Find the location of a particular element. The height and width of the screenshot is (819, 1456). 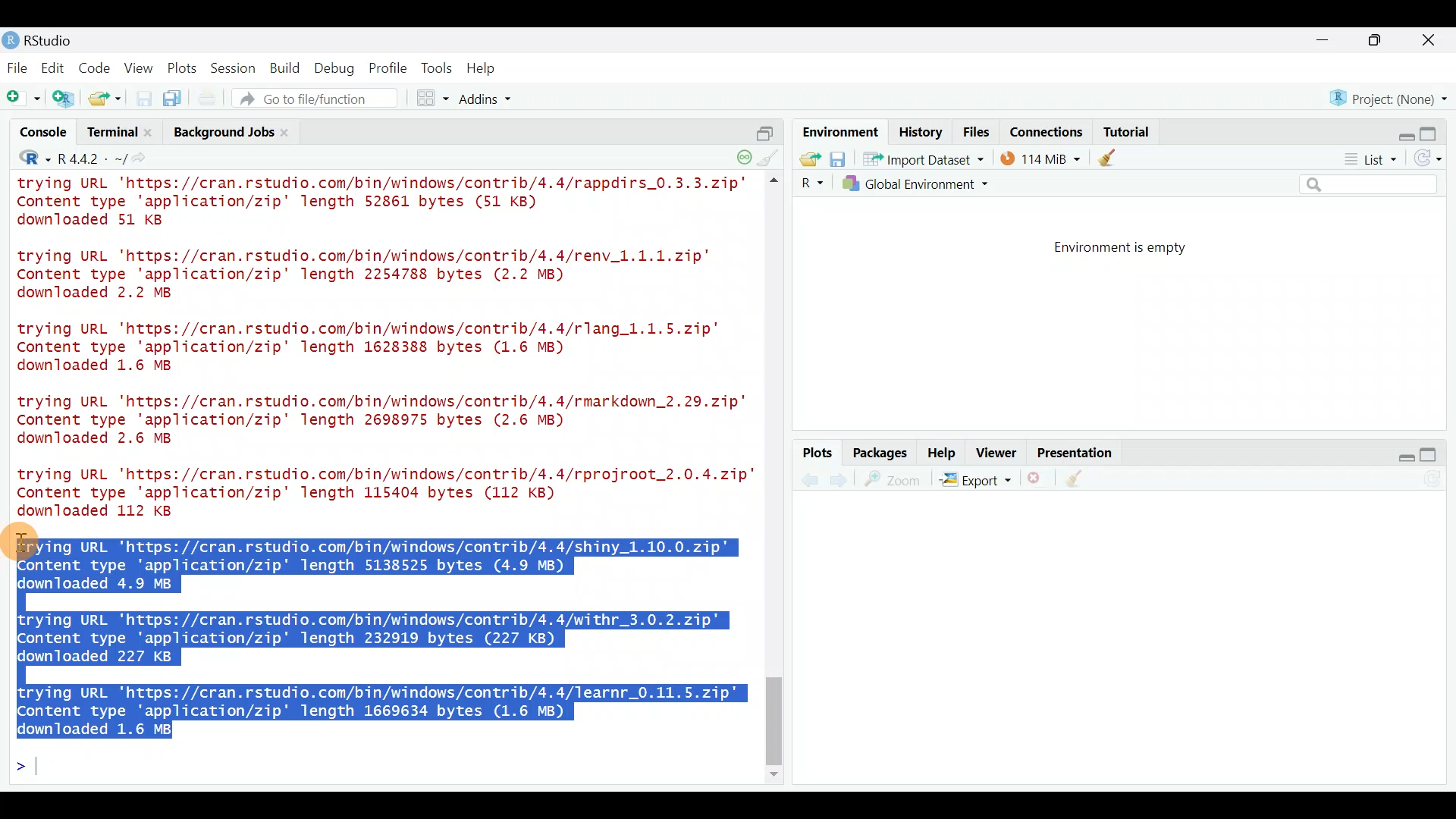

Presentation is located at coordinates (1078, 453).